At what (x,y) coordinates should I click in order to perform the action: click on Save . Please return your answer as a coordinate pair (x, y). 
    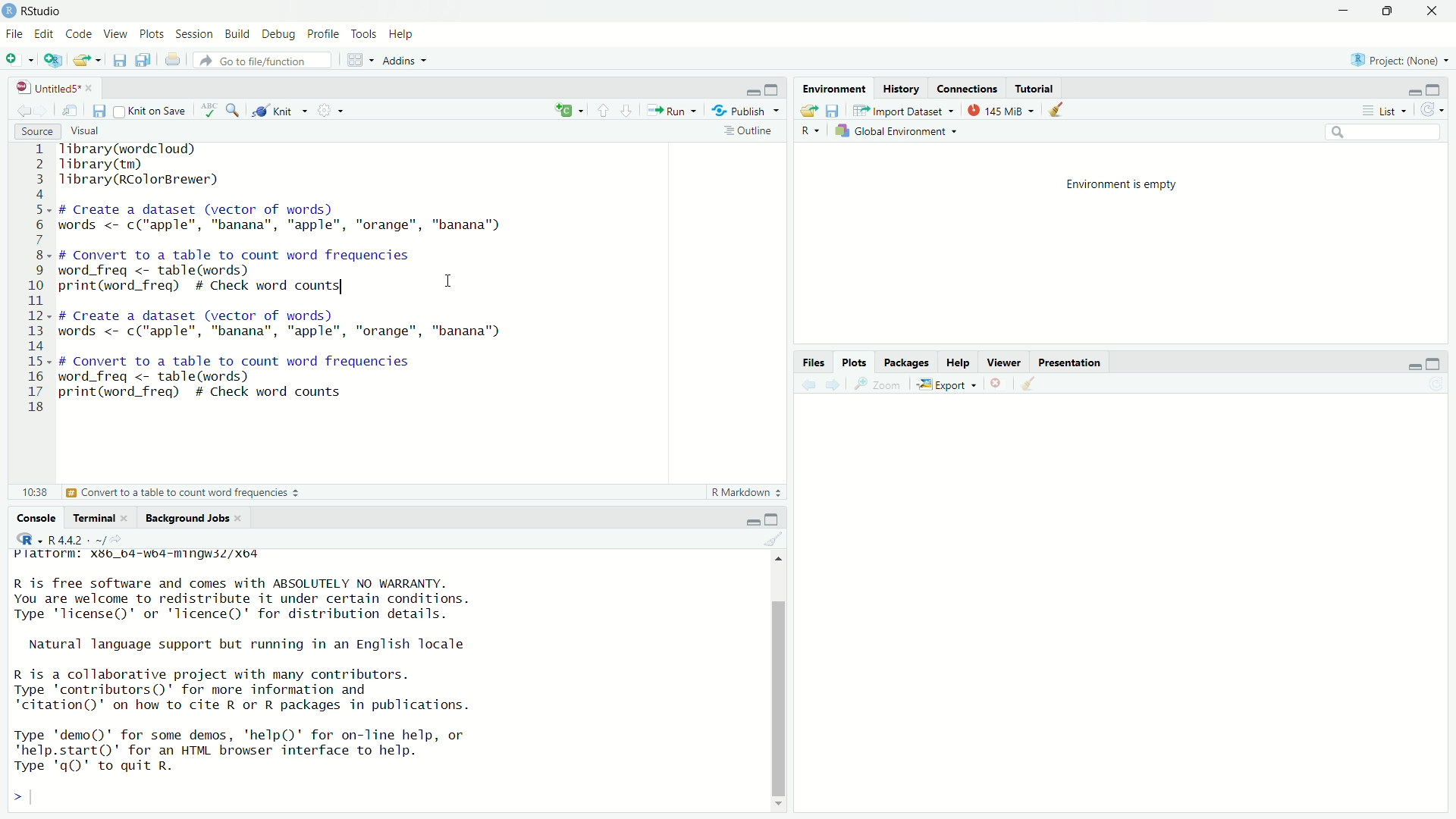
    Looking at the image, I should click on (833, 111).